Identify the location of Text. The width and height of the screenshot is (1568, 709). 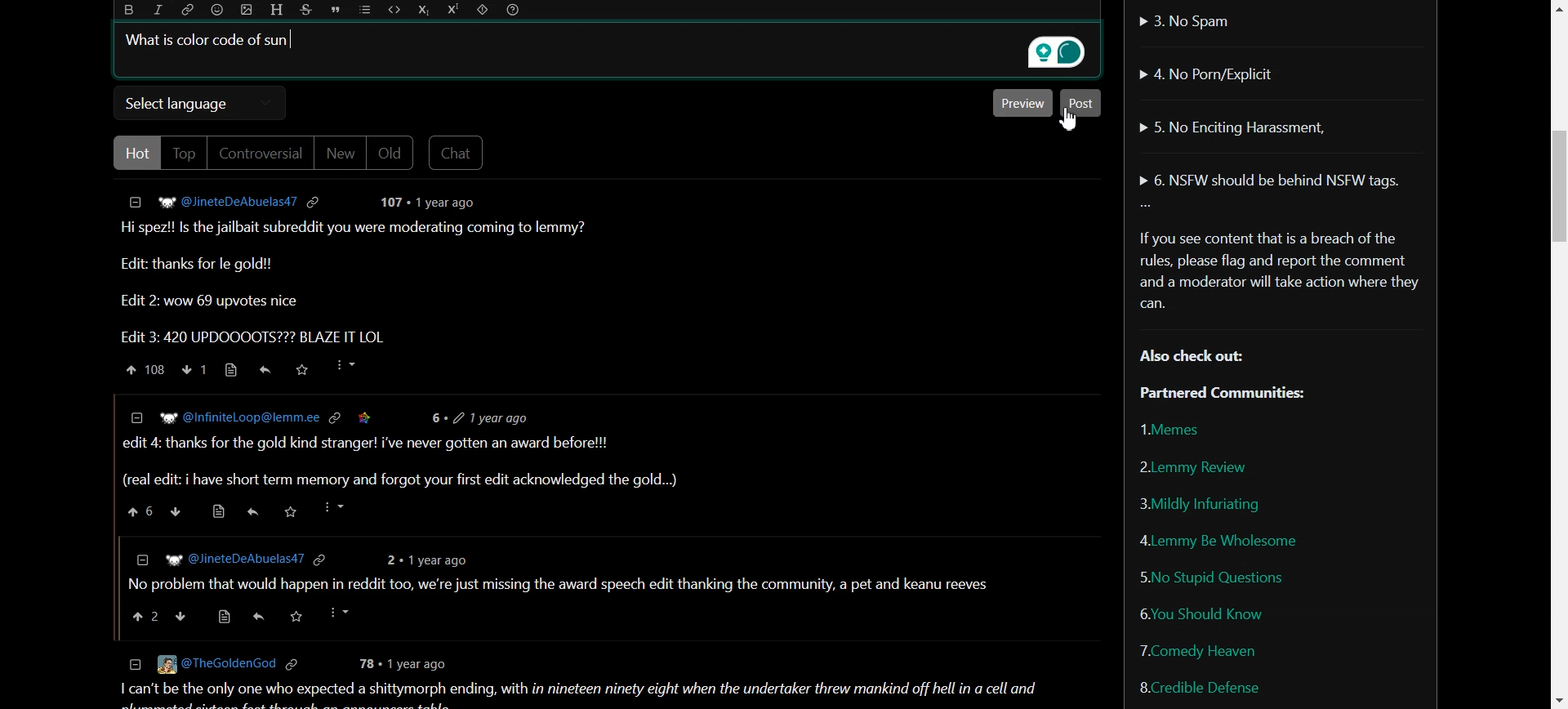
(1255, 354).